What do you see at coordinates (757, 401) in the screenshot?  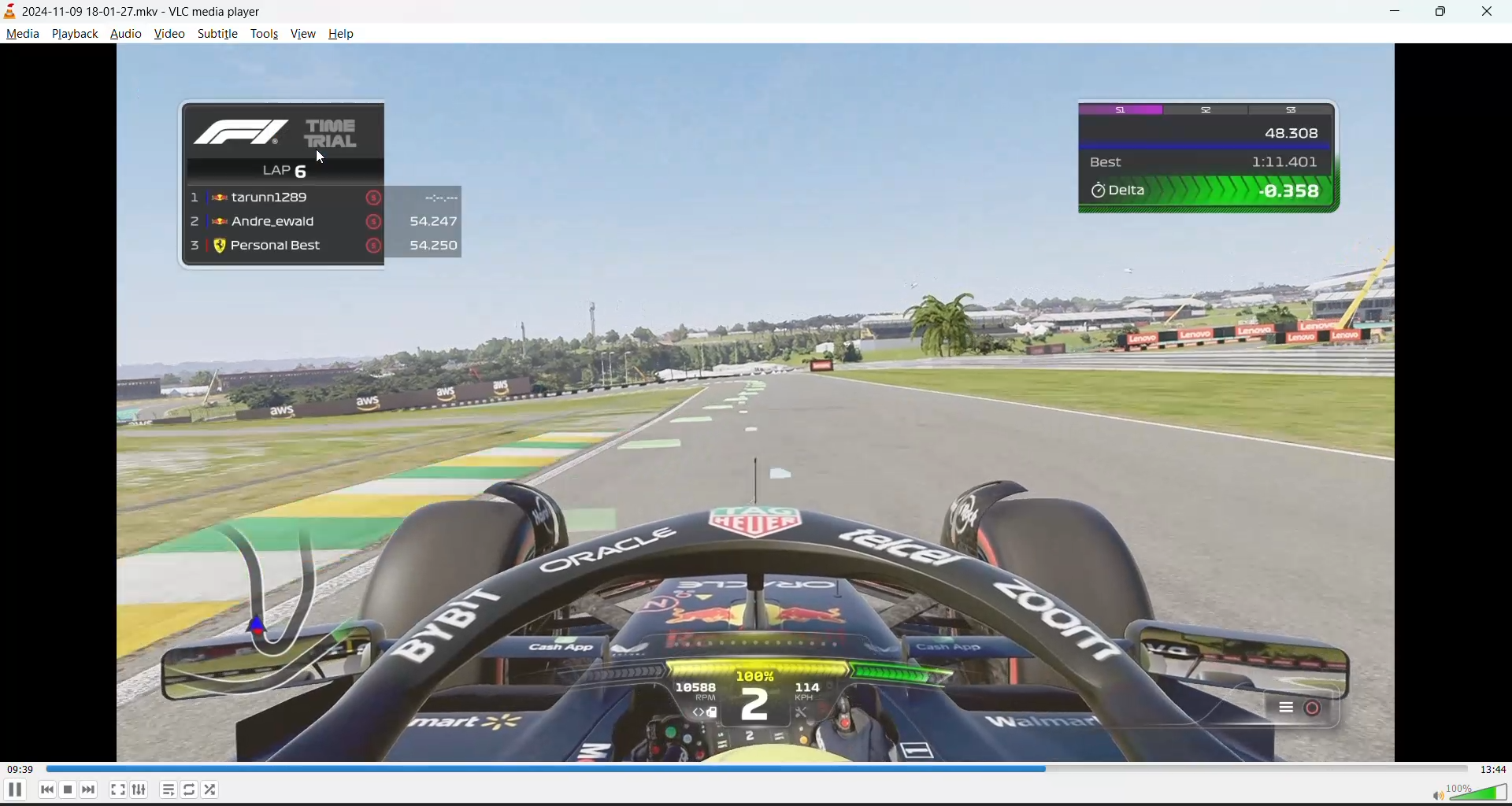 I see `preview` at bounding box center [757, 401].